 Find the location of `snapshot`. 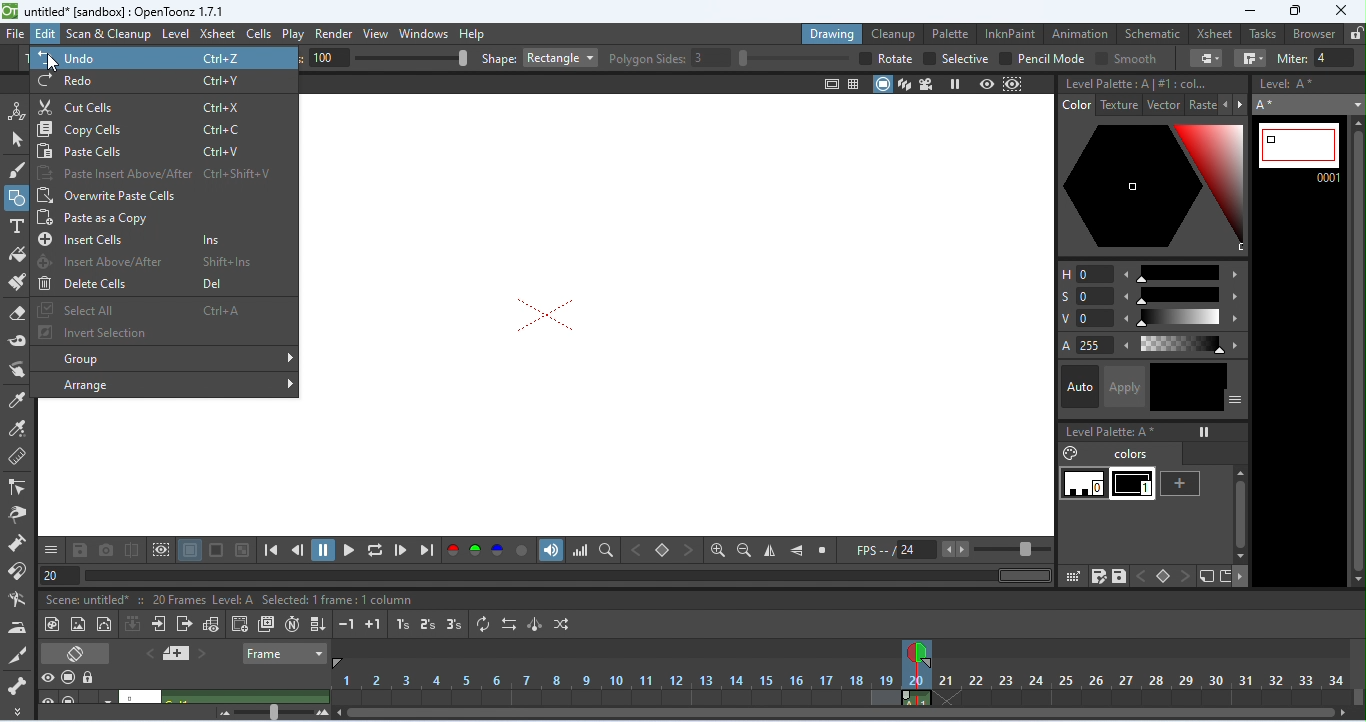

snapshot is located at coordinates (106, 550).